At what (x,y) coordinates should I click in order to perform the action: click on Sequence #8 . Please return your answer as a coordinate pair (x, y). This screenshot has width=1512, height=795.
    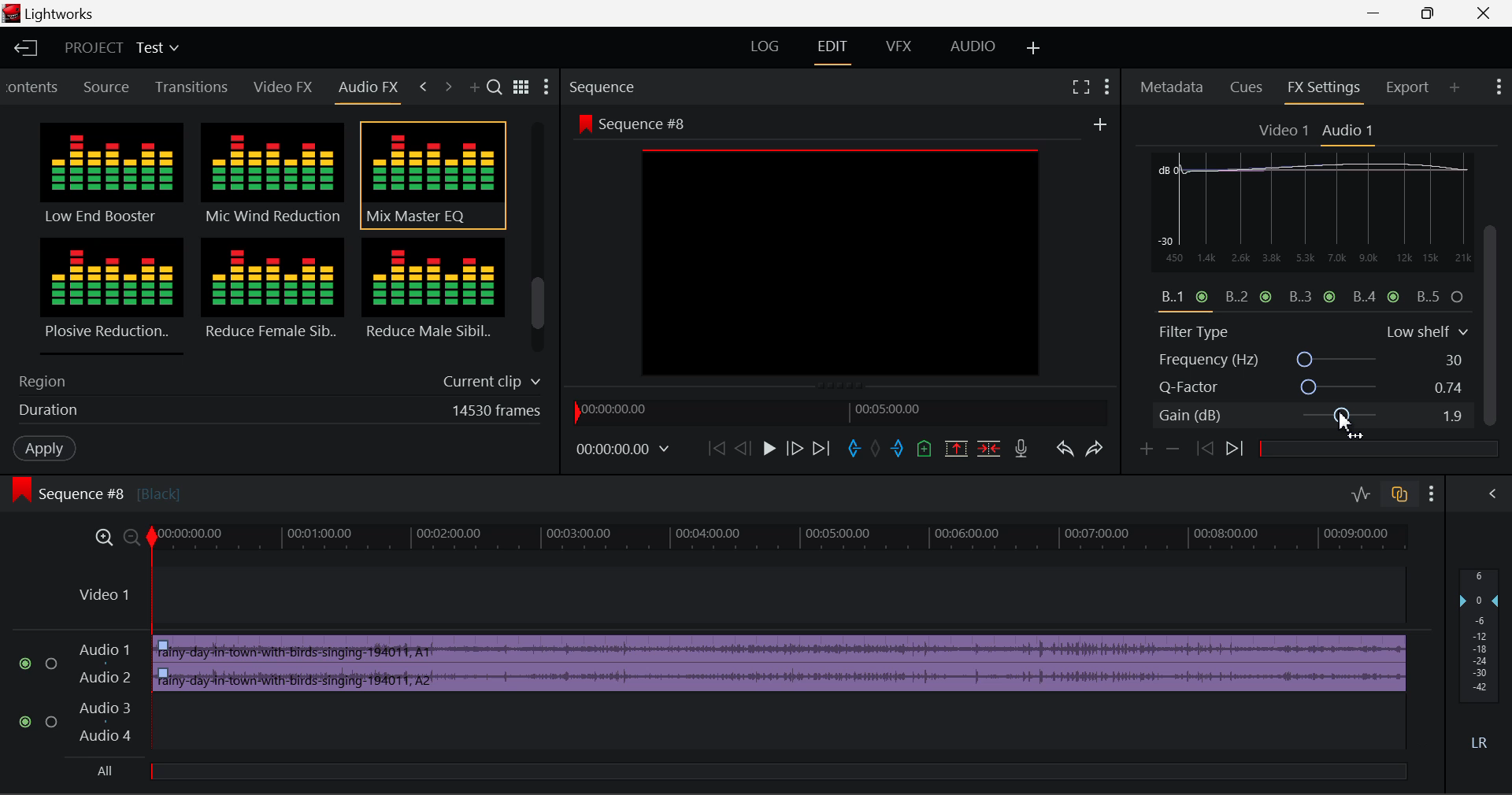
    Looking at the image, I should click on (630, 120).